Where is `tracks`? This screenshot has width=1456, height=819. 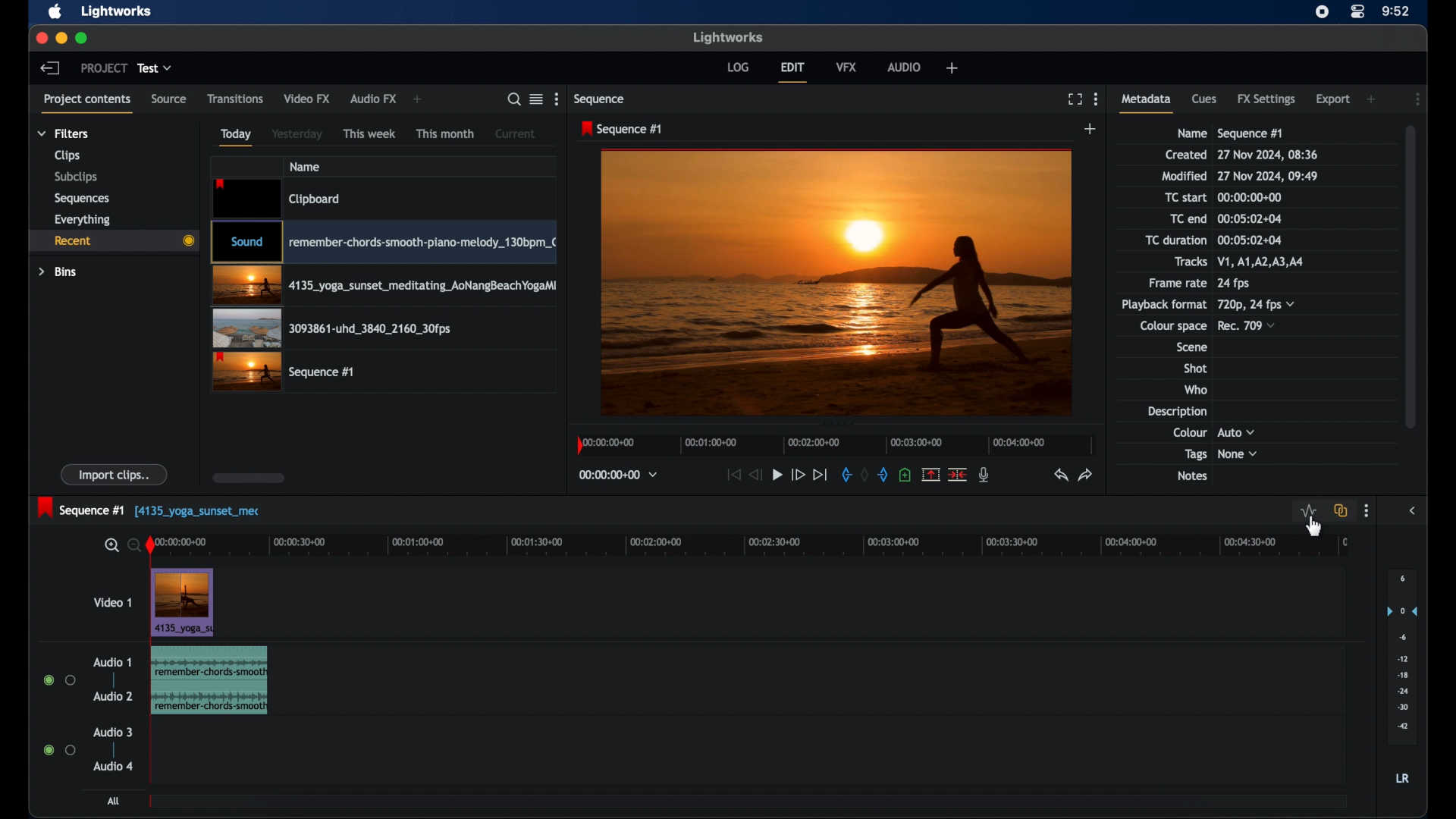
tracks is located at coordinates (1191, 262).